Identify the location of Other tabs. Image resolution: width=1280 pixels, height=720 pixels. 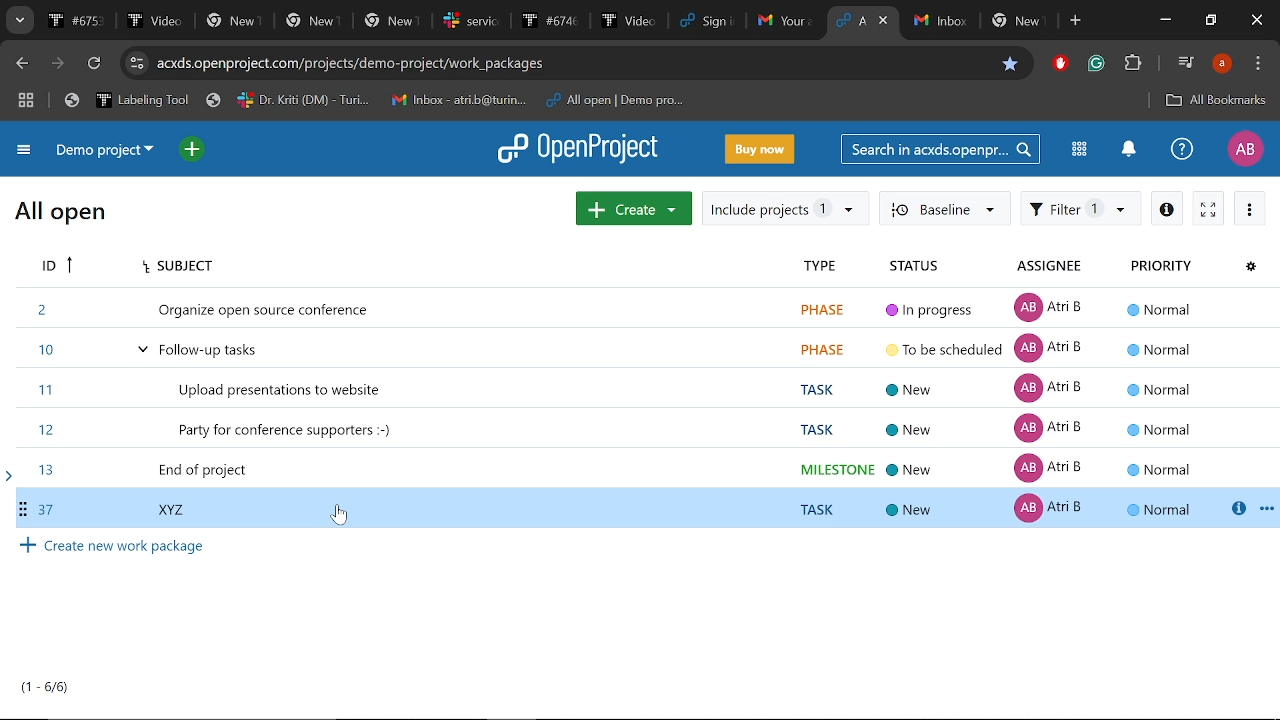
(981, 22).